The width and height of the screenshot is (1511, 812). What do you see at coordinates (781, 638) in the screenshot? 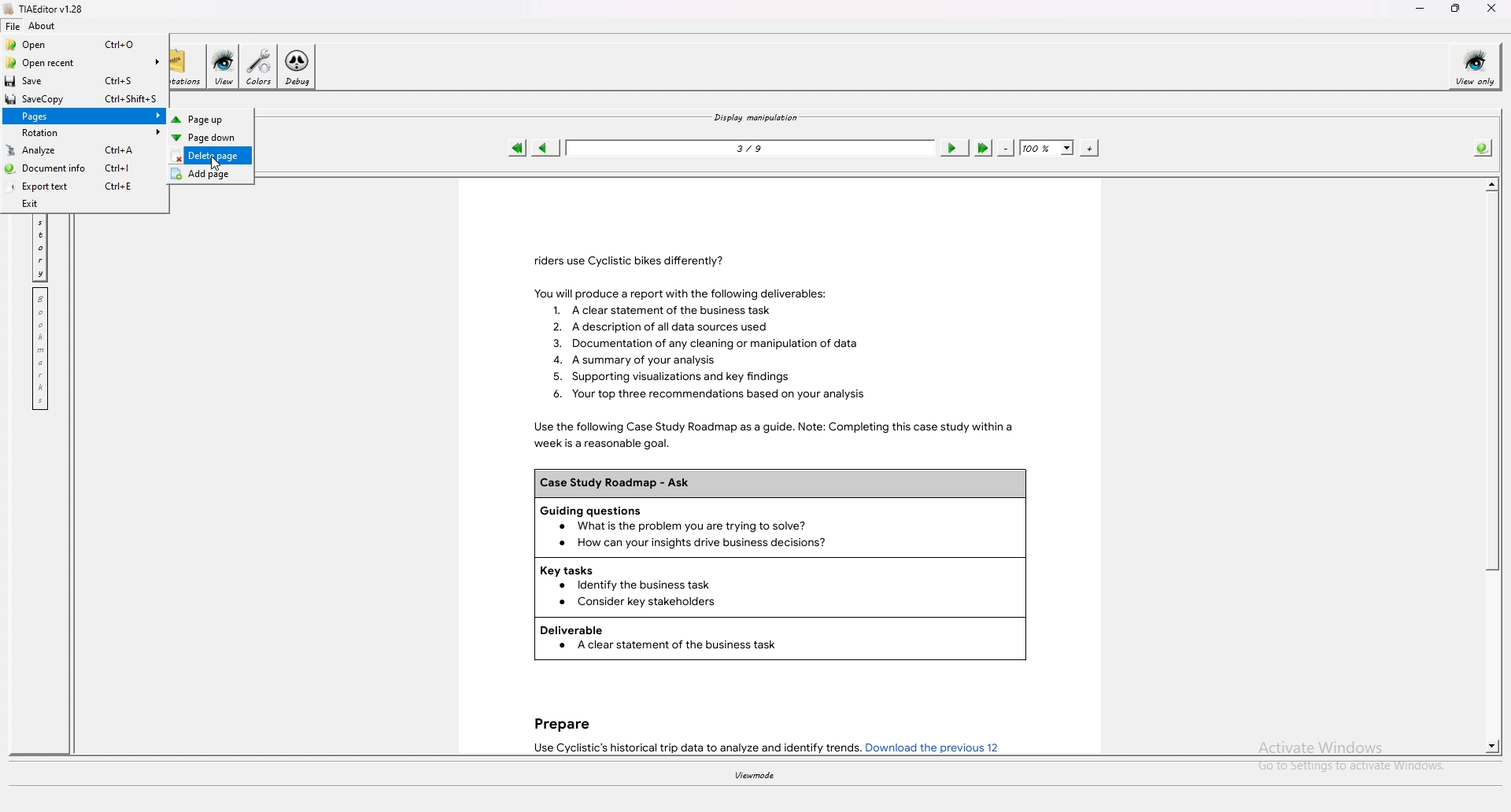
I see `Deliverable  A clear statement of the business task` at bounding box center [781, 638].